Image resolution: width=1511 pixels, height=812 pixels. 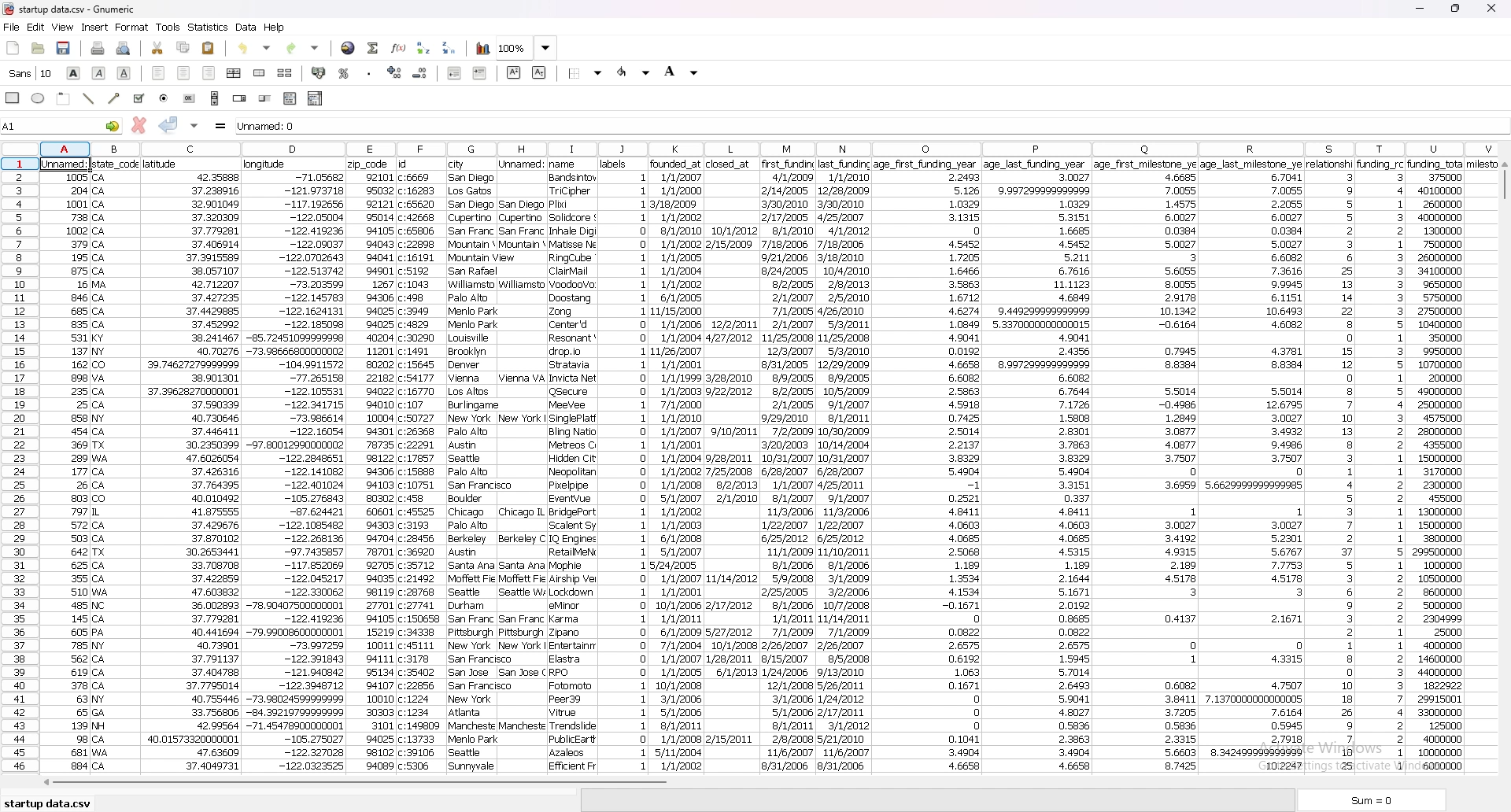 What do you see at coordinates (13, 46) in the screenshot?
I see `new` at bounding box center [13, 46].